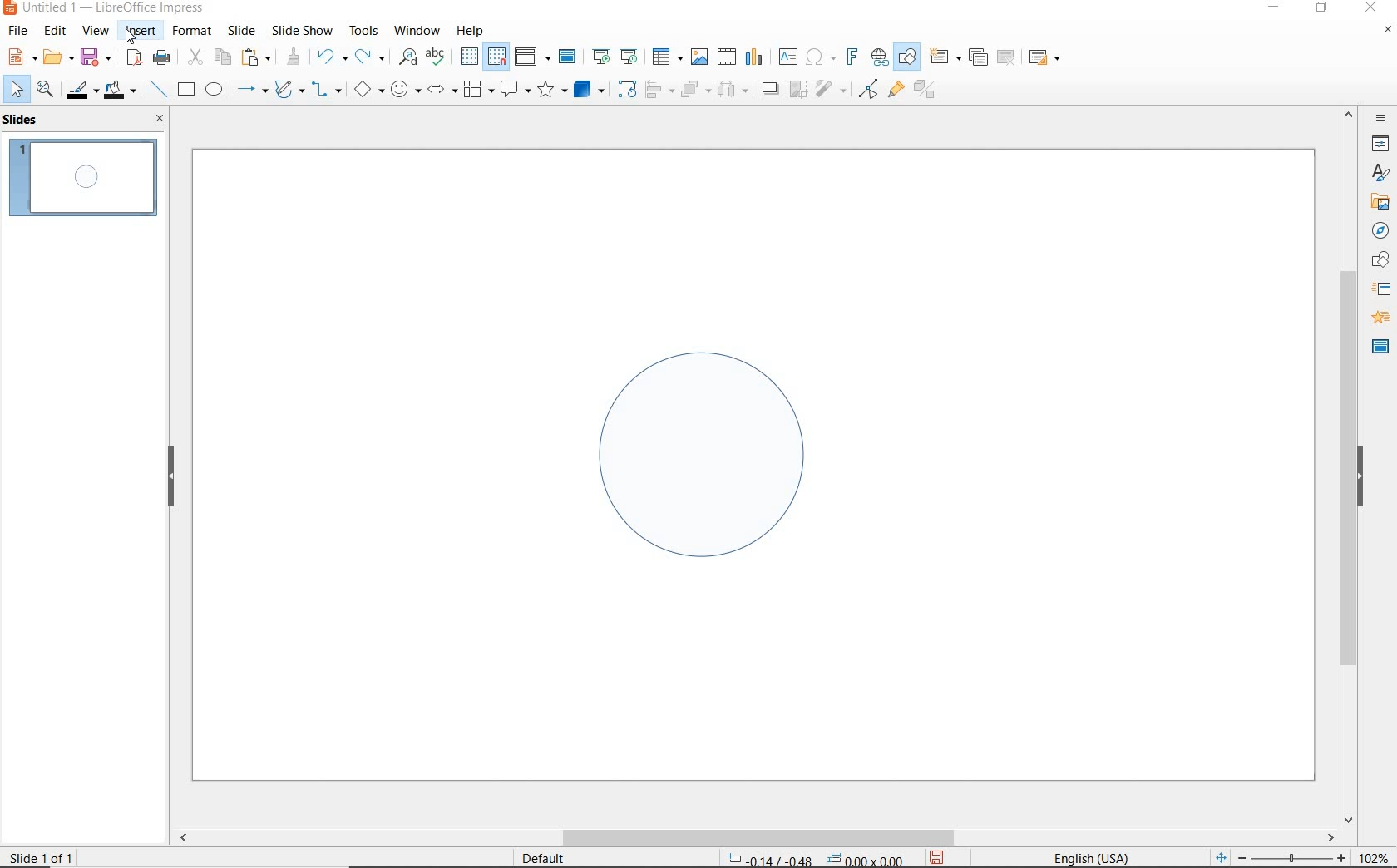 Image resolution: width=1397 pixels, height=868 pixels. What do you see at coordinates (131, 37) in the screenshot?
I see `Cursor` at bounding box center [131, 37].